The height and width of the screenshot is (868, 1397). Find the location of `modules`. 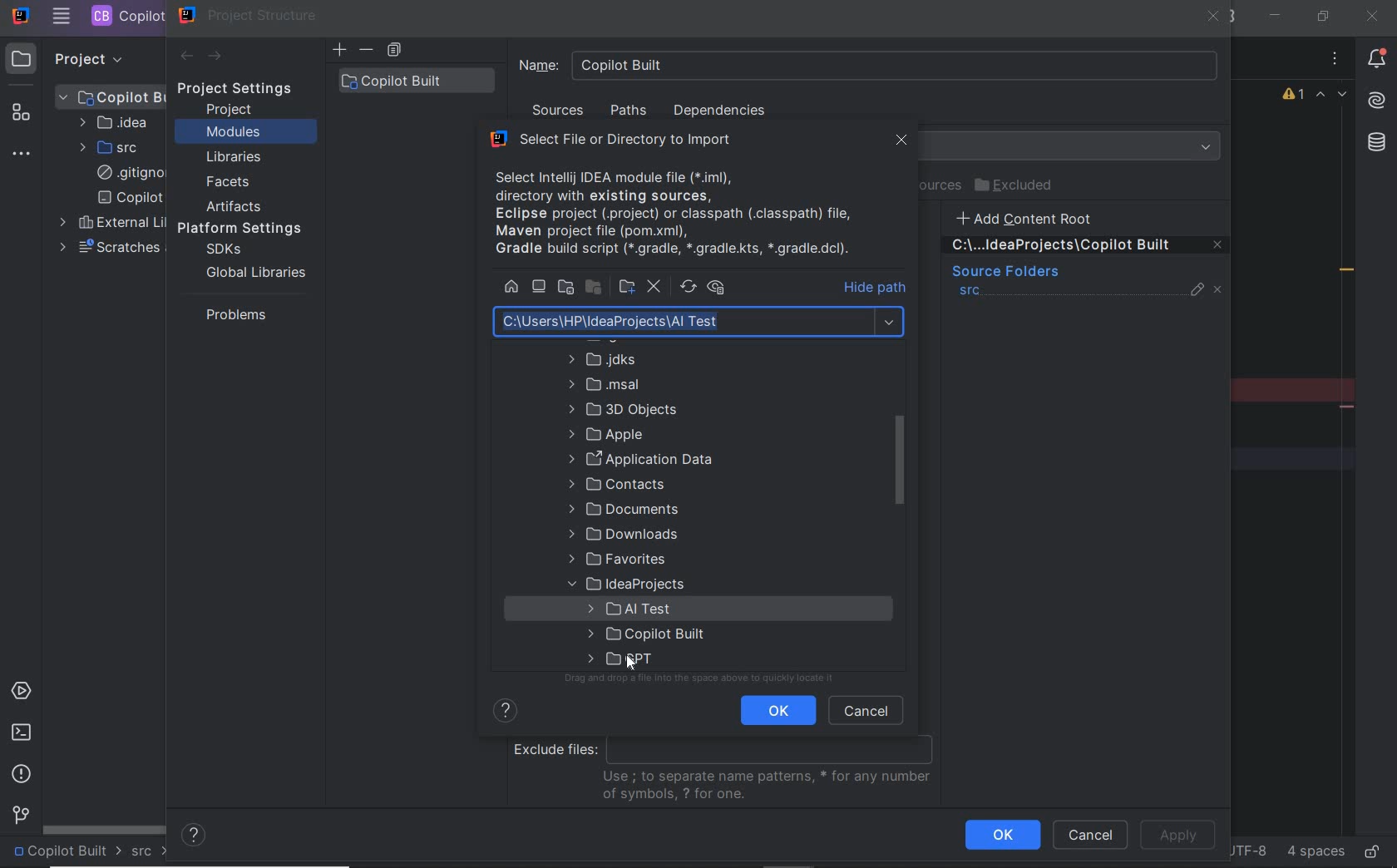

modules is located at coordinates (233, 133).